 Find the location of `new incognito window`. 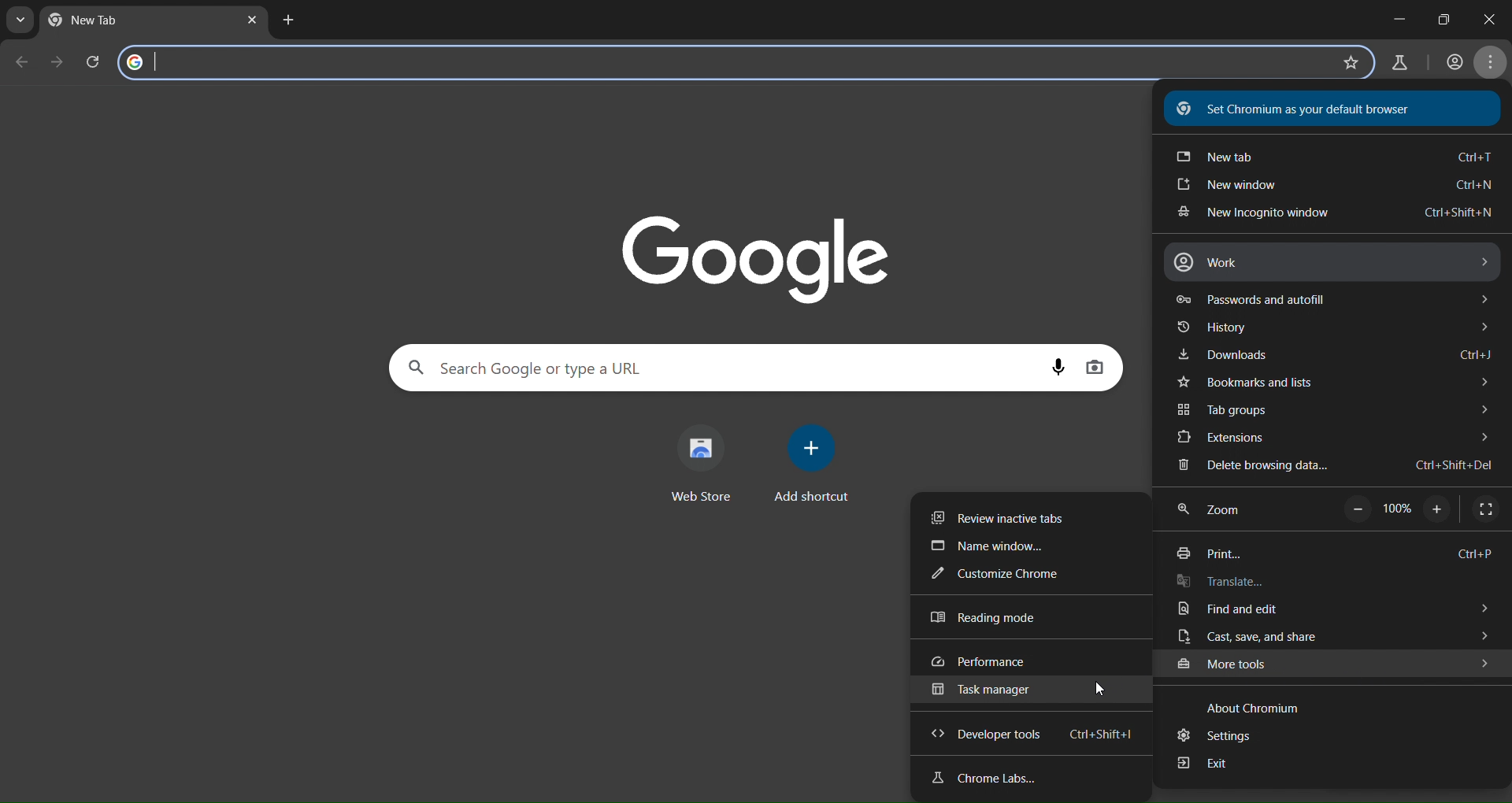

new incognito window is located at coordinates (1329, 213).